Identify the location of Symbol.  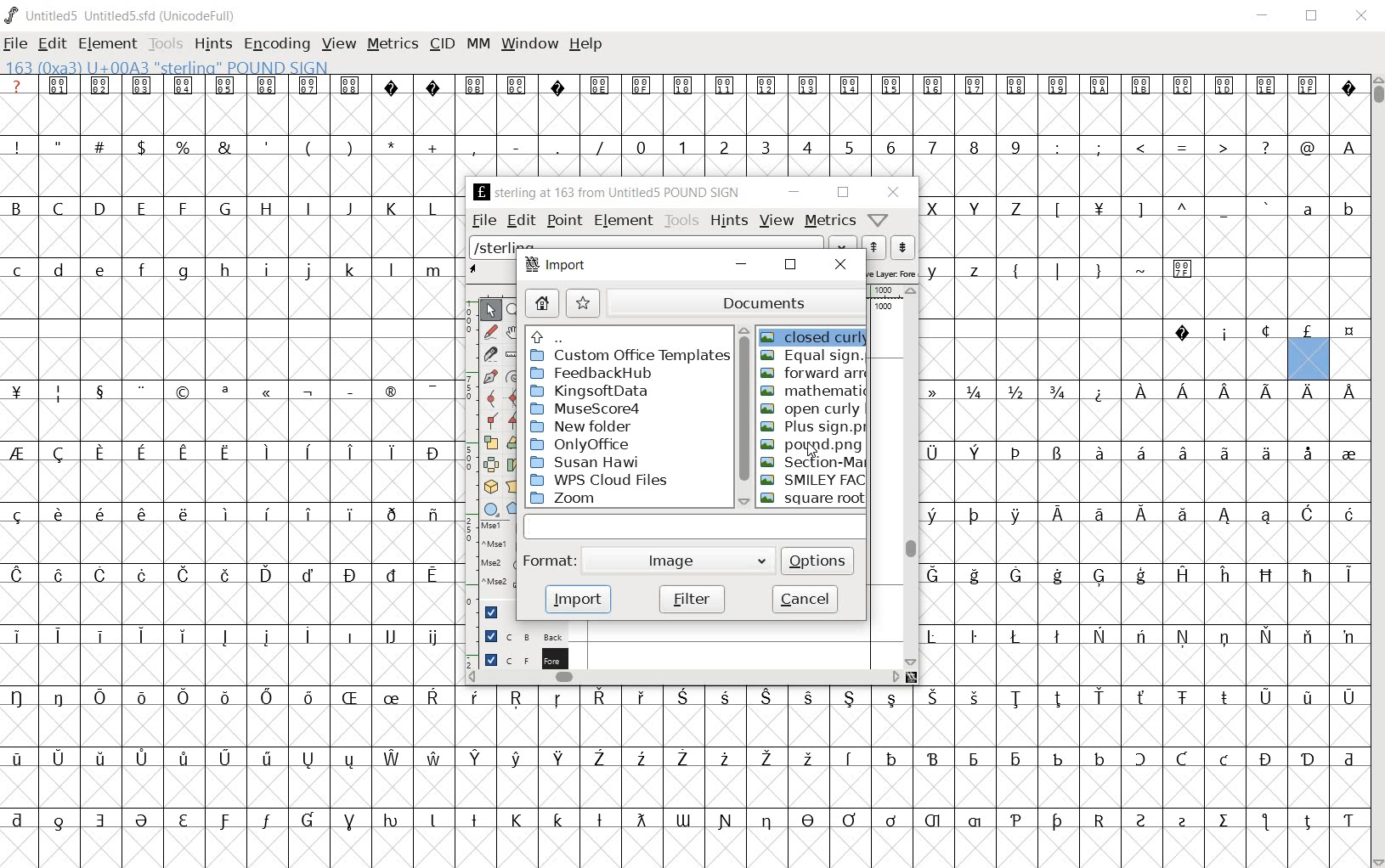
(1181, 759).